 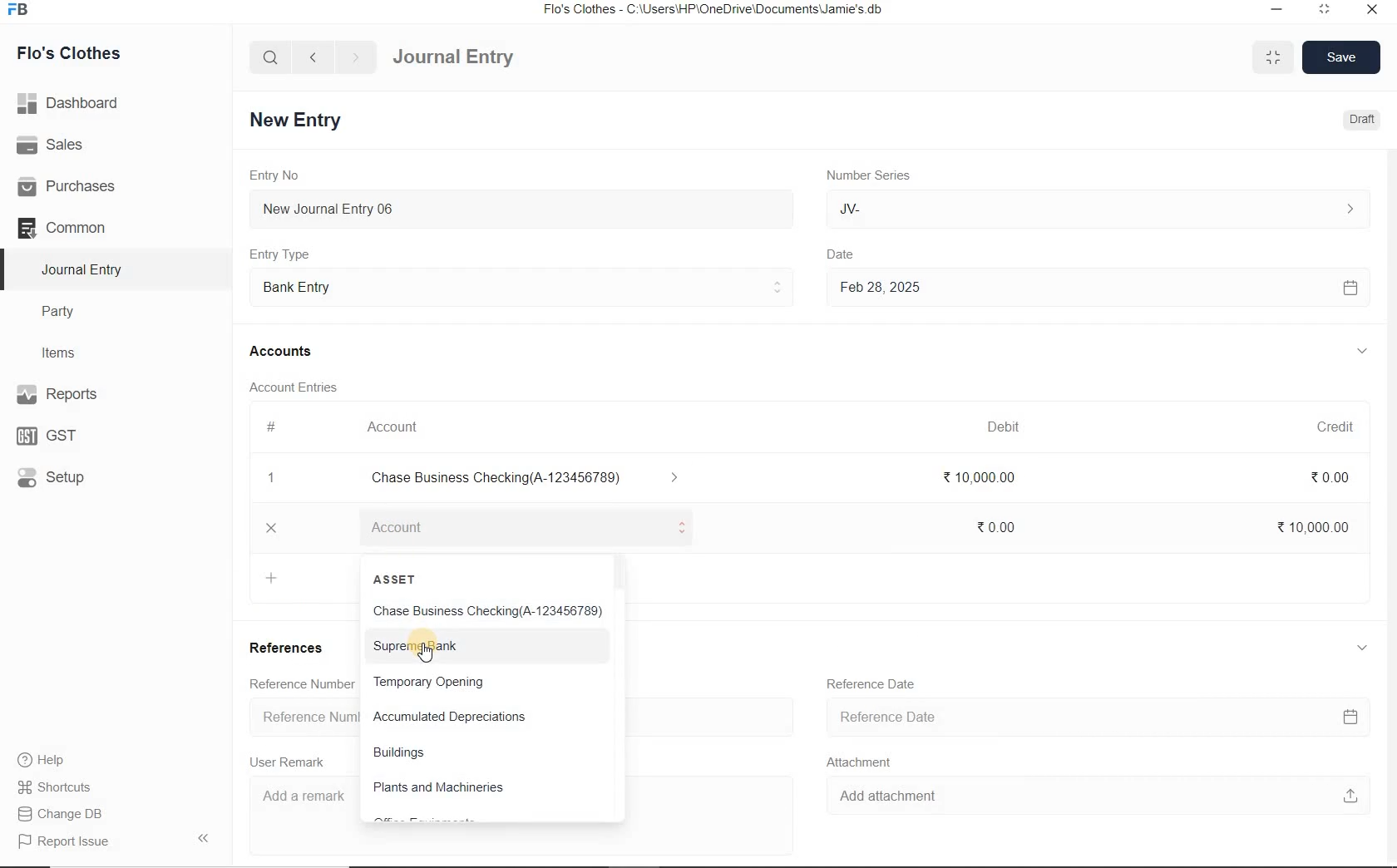 I want to click on Shortcuts, so click(x=55, y=784).